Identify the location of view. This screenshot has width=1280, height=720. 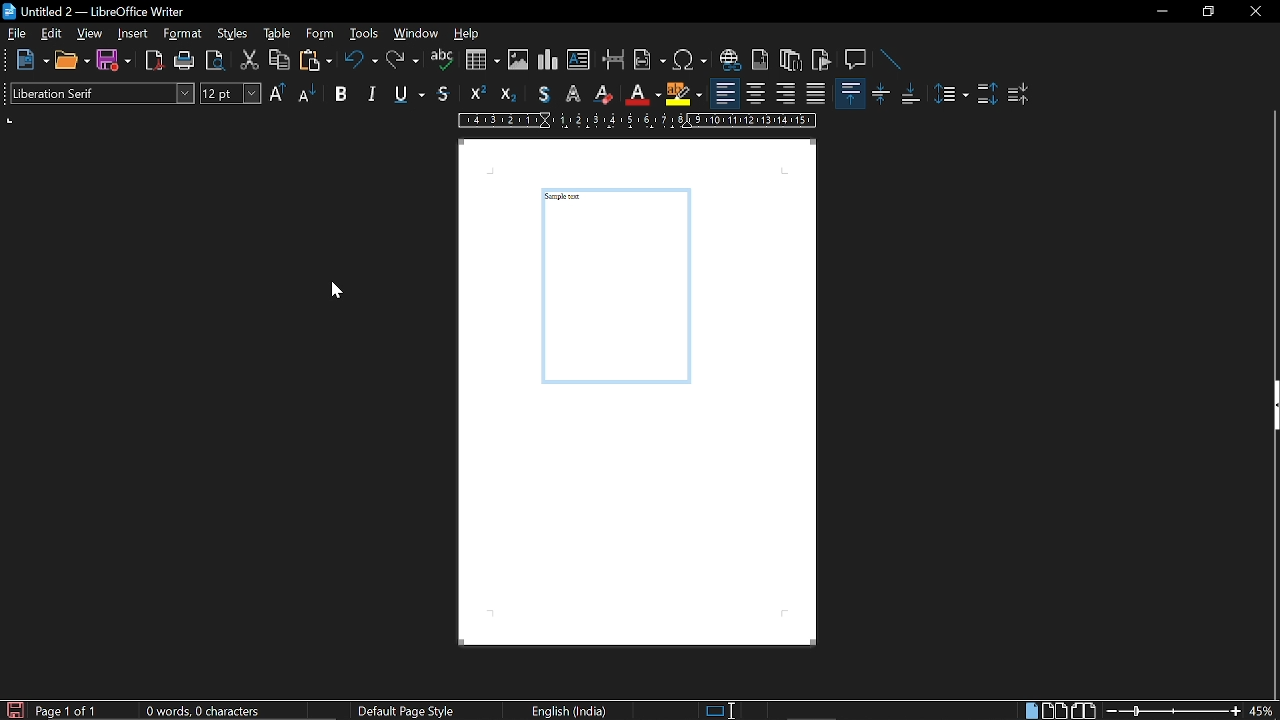
(90, 34).